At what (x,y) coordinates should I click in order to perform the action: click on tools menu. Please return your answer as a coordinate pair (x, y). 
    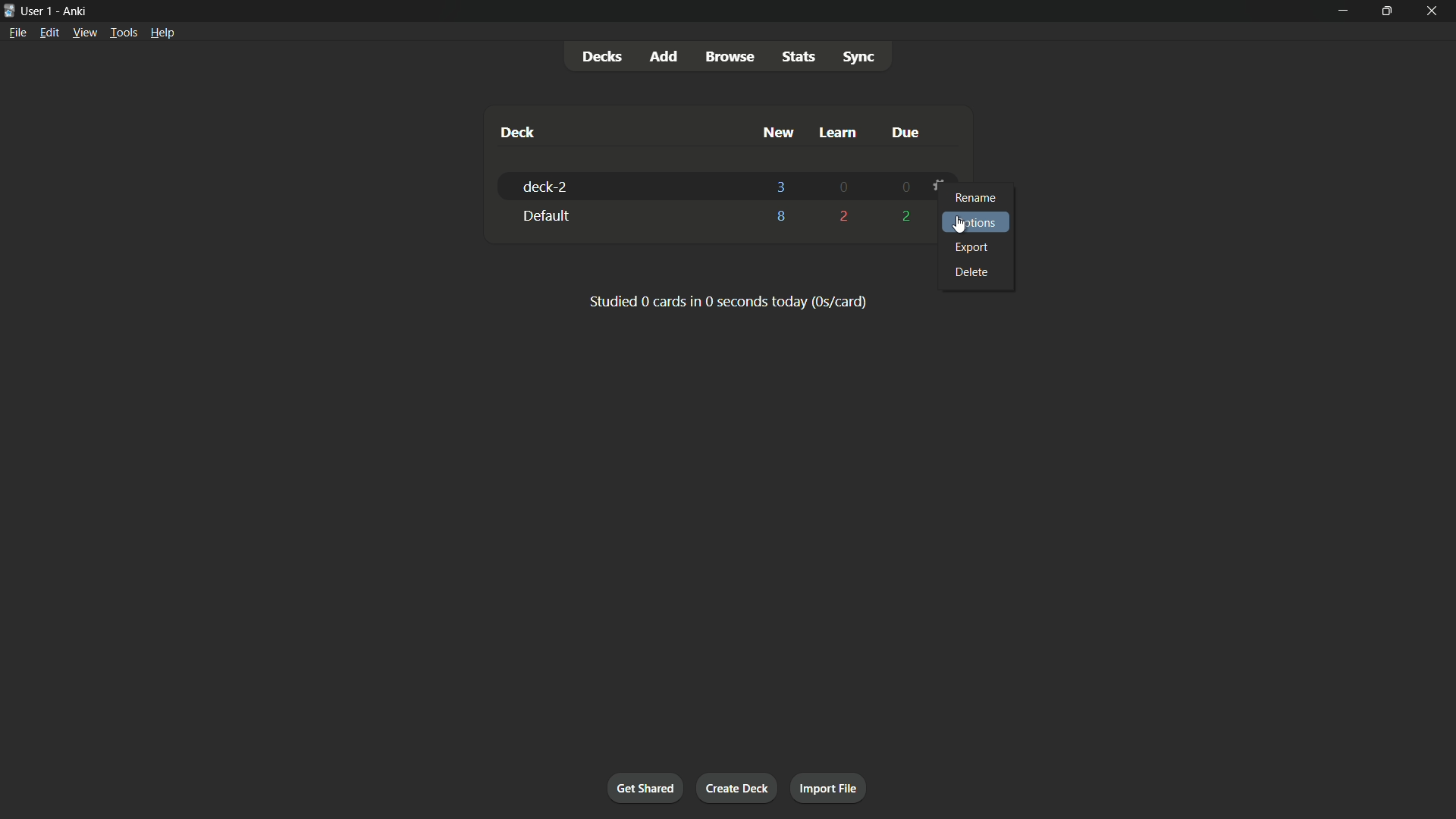
    Looking at the image, I should click on (124, 33).